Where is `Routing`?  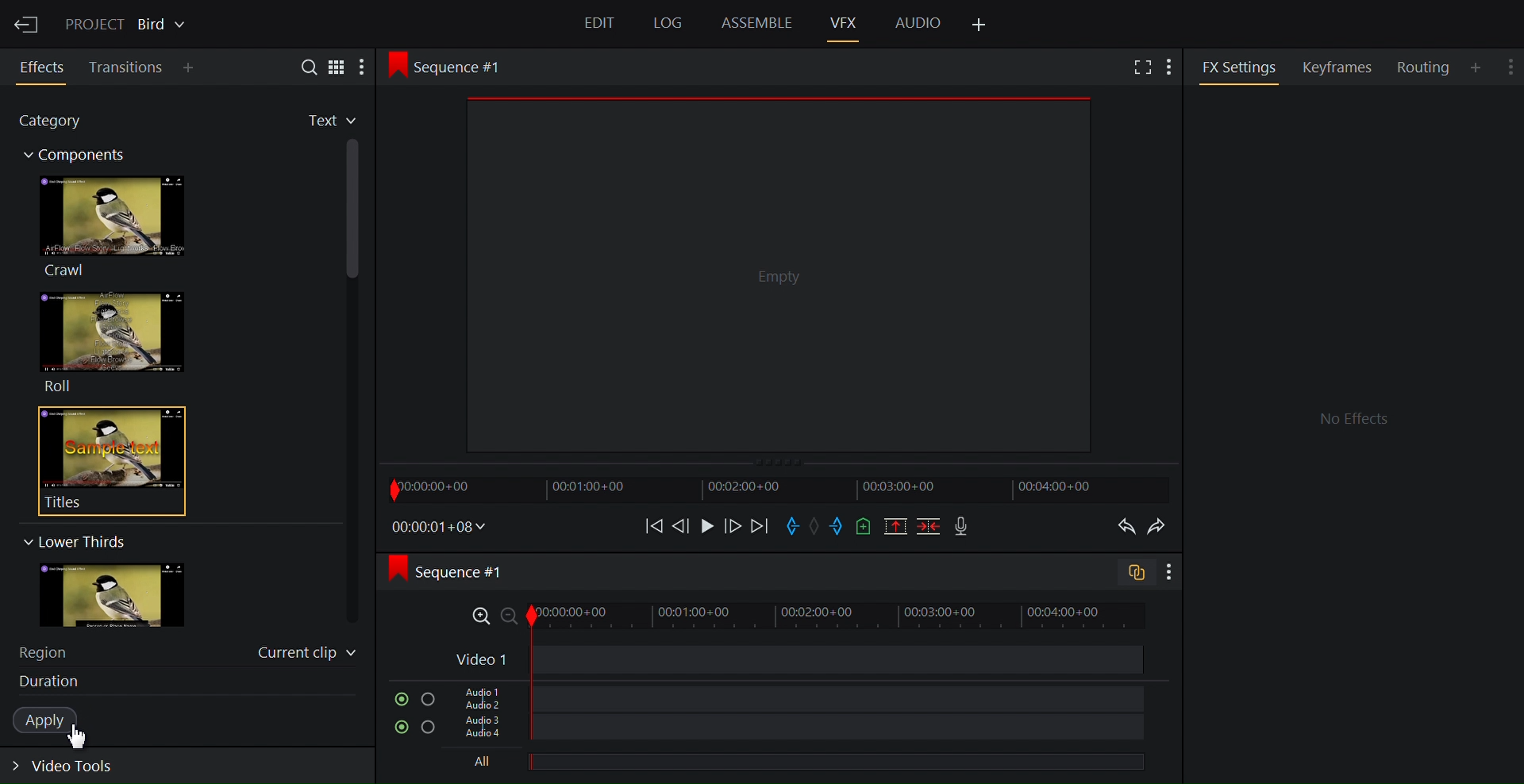 Routing is located at coordinates (1426, 67).